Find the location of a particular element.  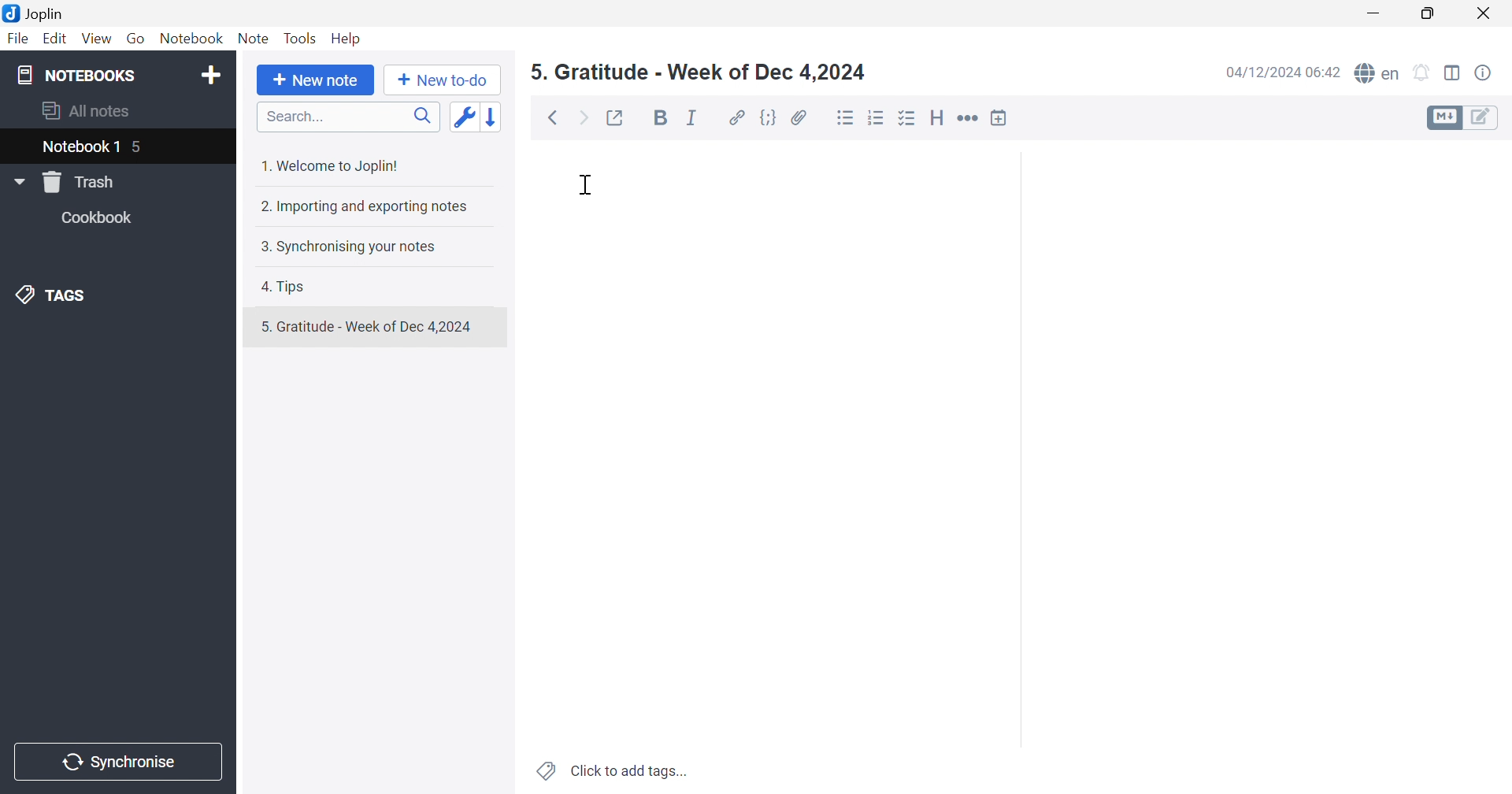

Attach file is located at coordinates (799, 117).